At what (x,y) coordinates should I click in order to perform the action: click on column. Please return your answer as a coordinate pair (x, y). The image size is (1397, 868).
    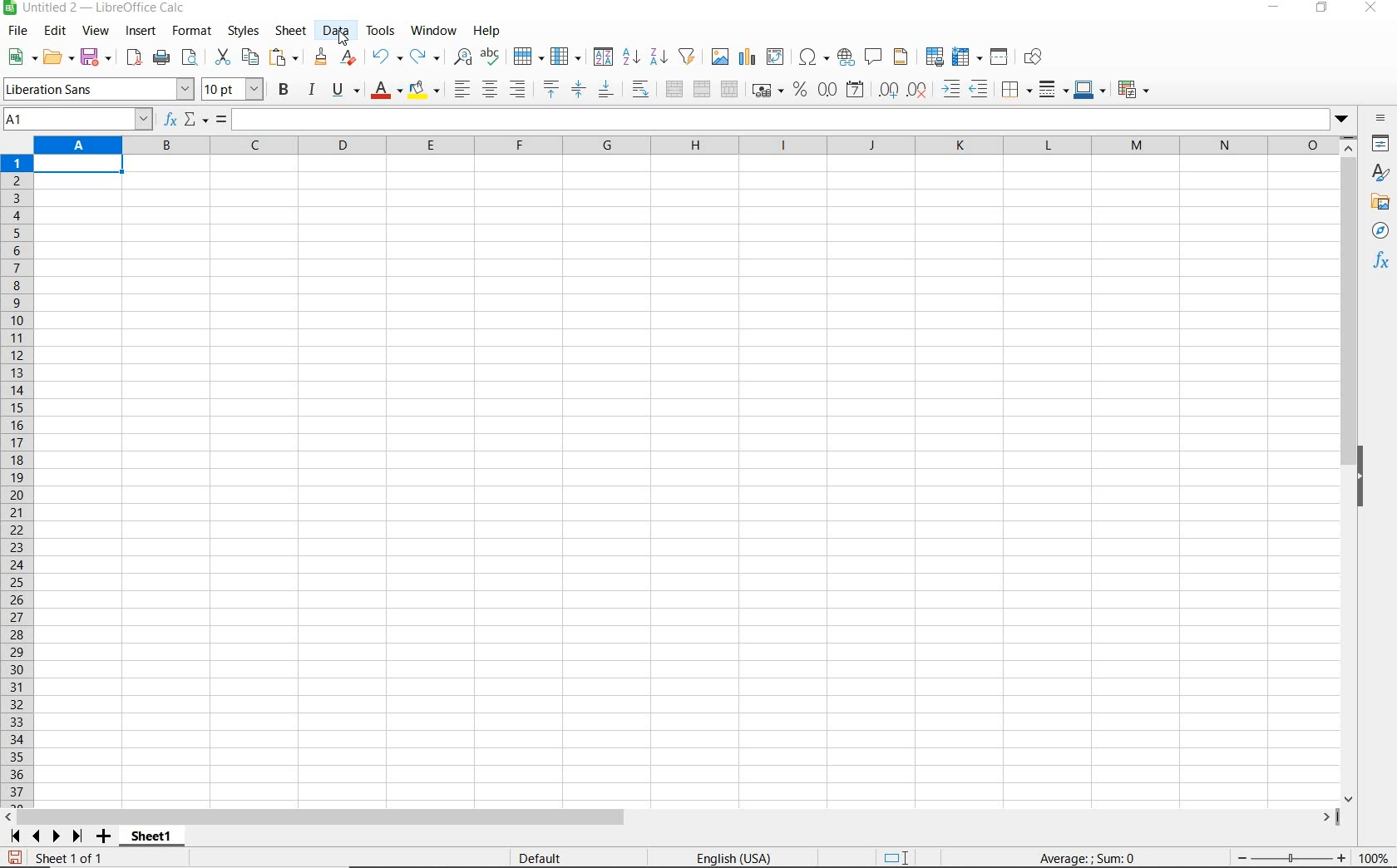
    Looking at the image, I should click on (567, 57).